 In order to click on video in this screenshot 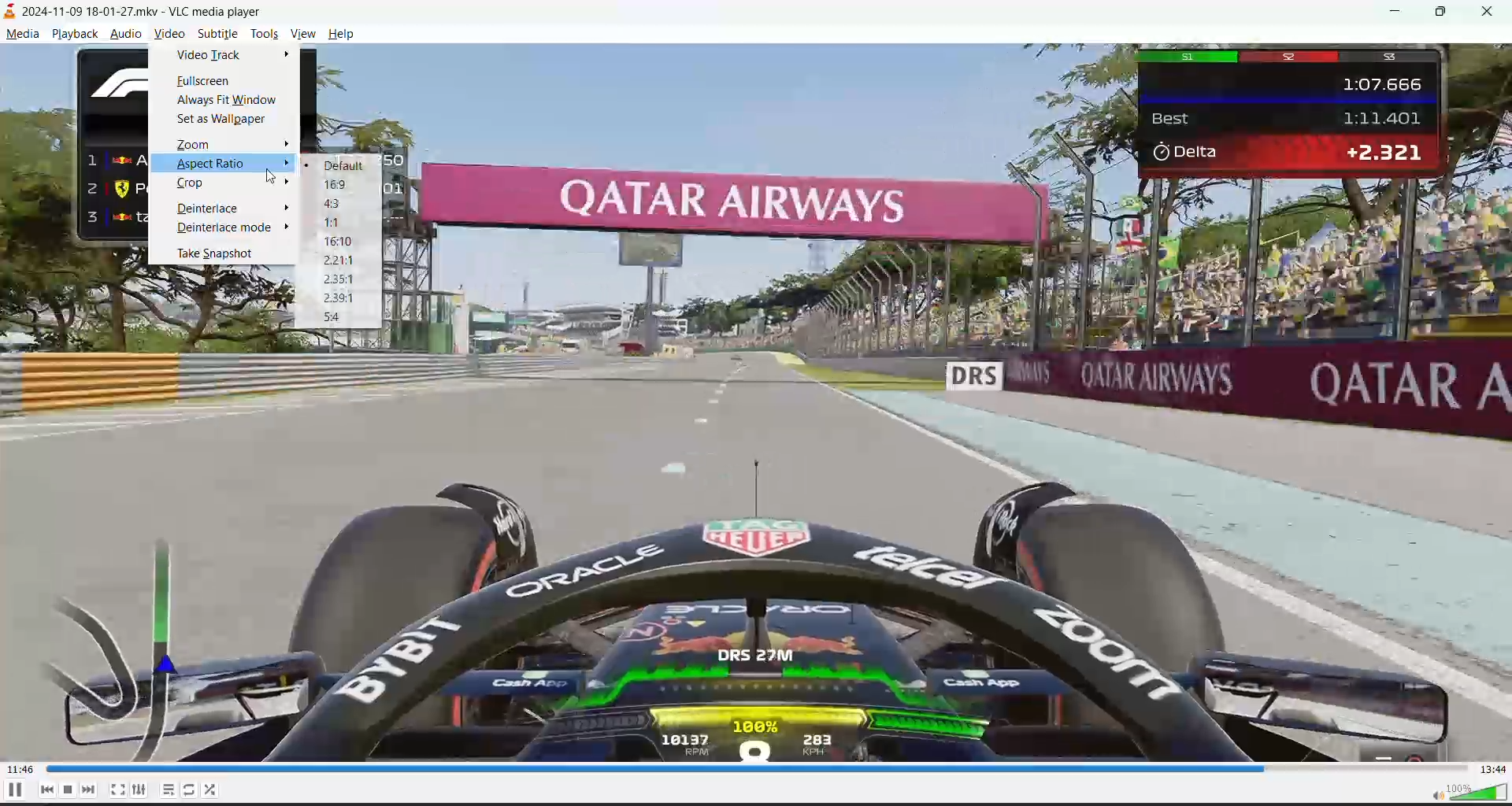, I will do `click(172, 35)`.